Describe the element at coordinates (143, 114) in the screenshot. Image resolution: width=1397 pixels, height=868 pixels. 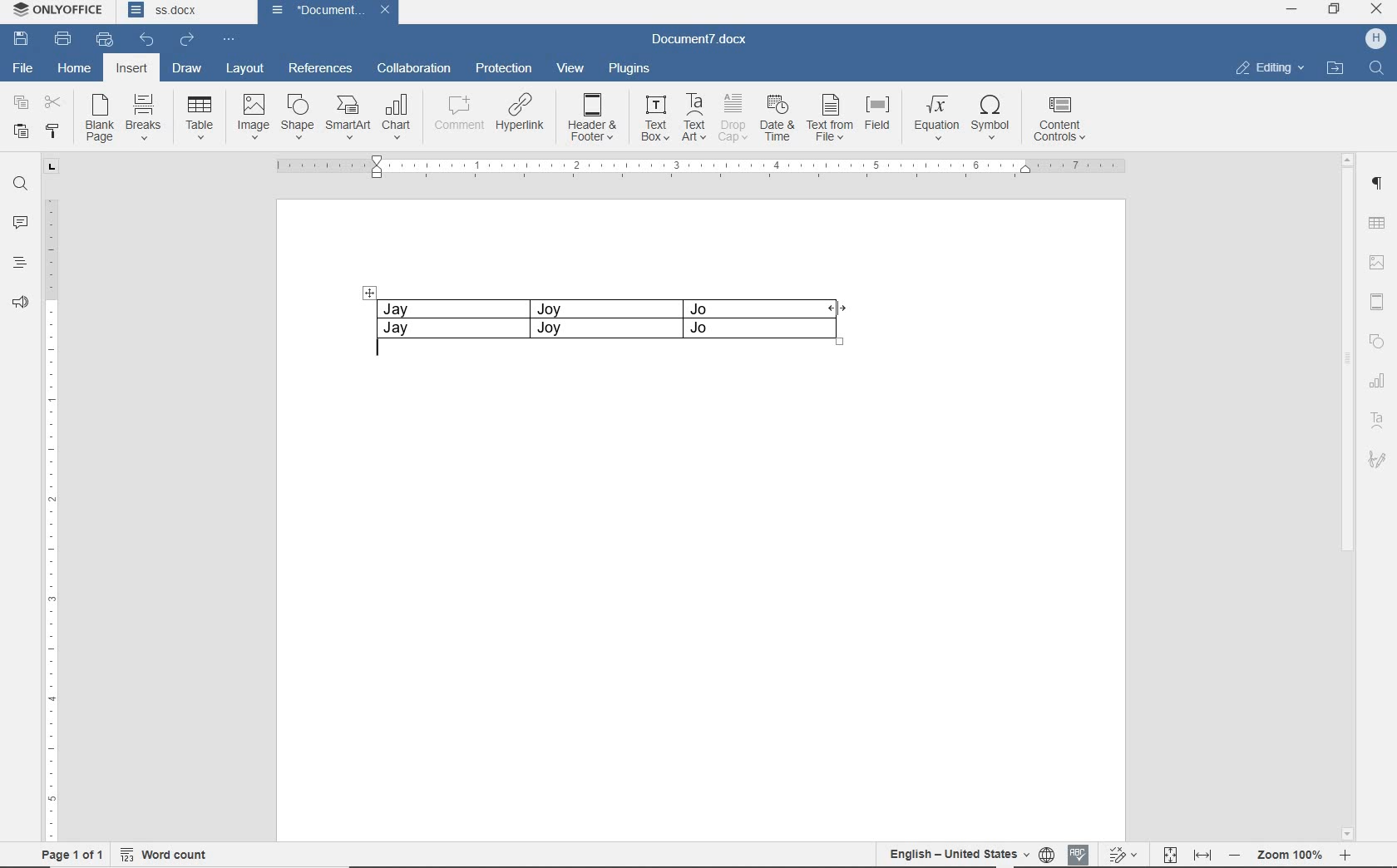
I see `BREAKS` at that location.